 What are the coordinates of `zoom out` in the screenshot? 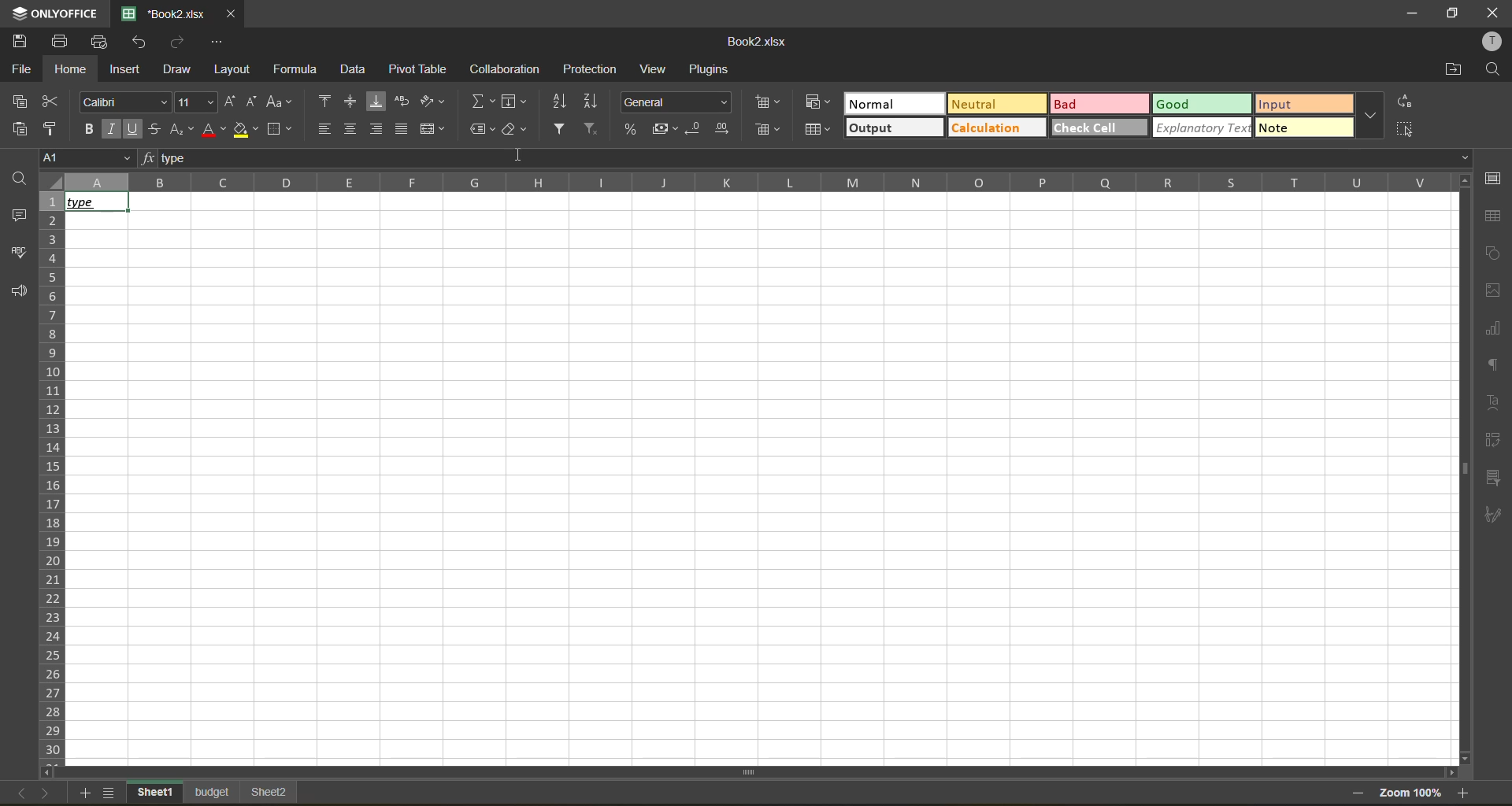 It's located at (1354, 795).